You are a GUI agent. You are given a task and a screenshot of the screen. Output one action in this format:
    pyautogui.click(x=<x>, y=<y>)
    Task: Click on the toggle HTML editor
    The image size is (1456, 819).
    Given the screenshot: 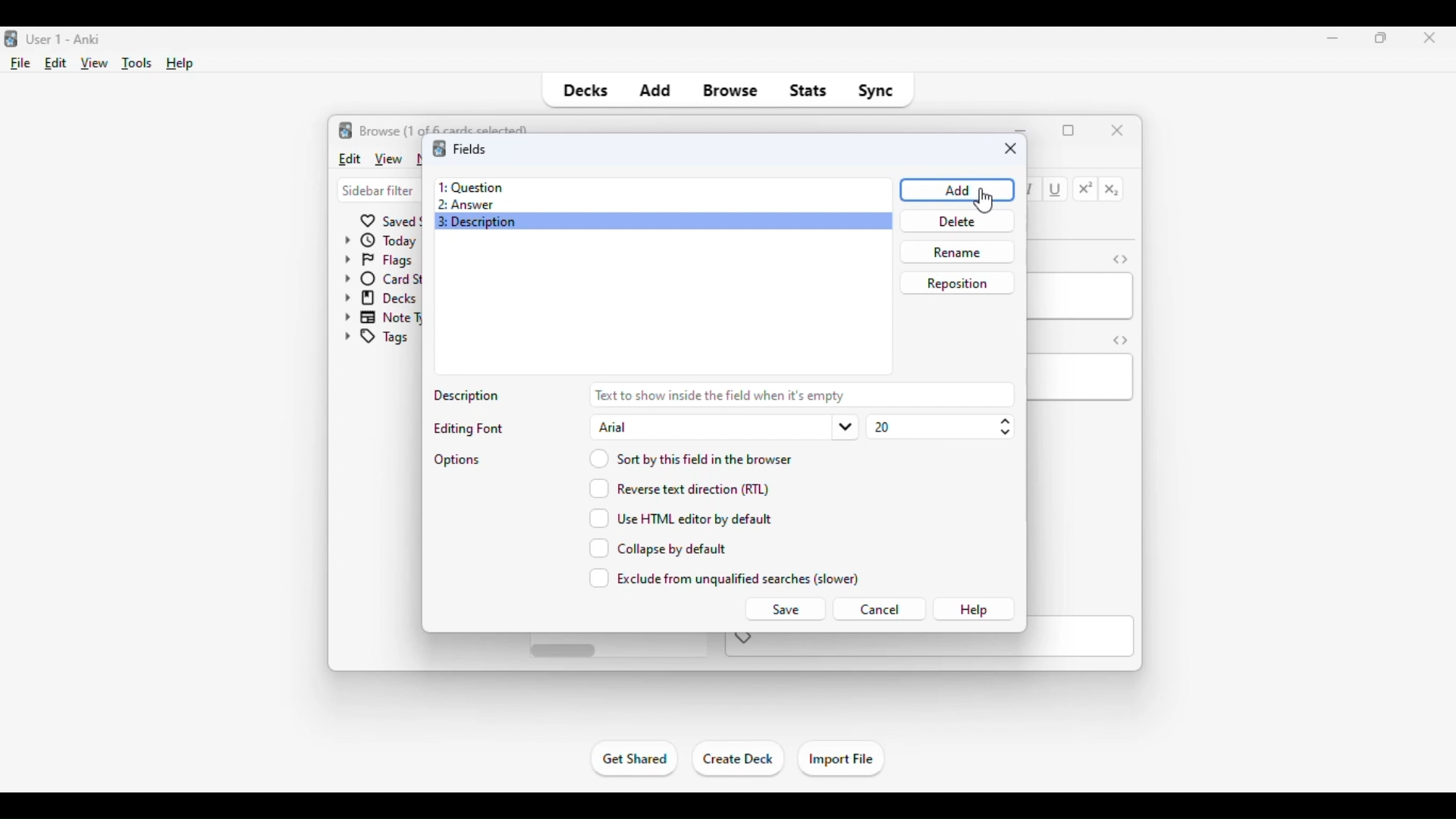 What is the action you would take?
    pyautogui.click(x=1120, y=259)
    